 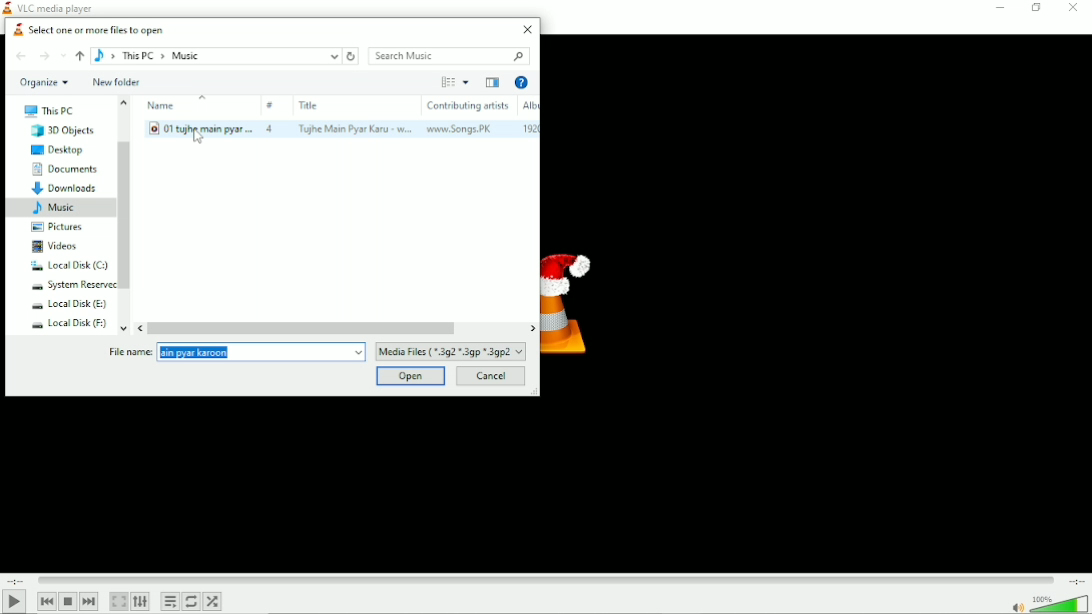 I want to click on Album, so click(x=527, y=117).